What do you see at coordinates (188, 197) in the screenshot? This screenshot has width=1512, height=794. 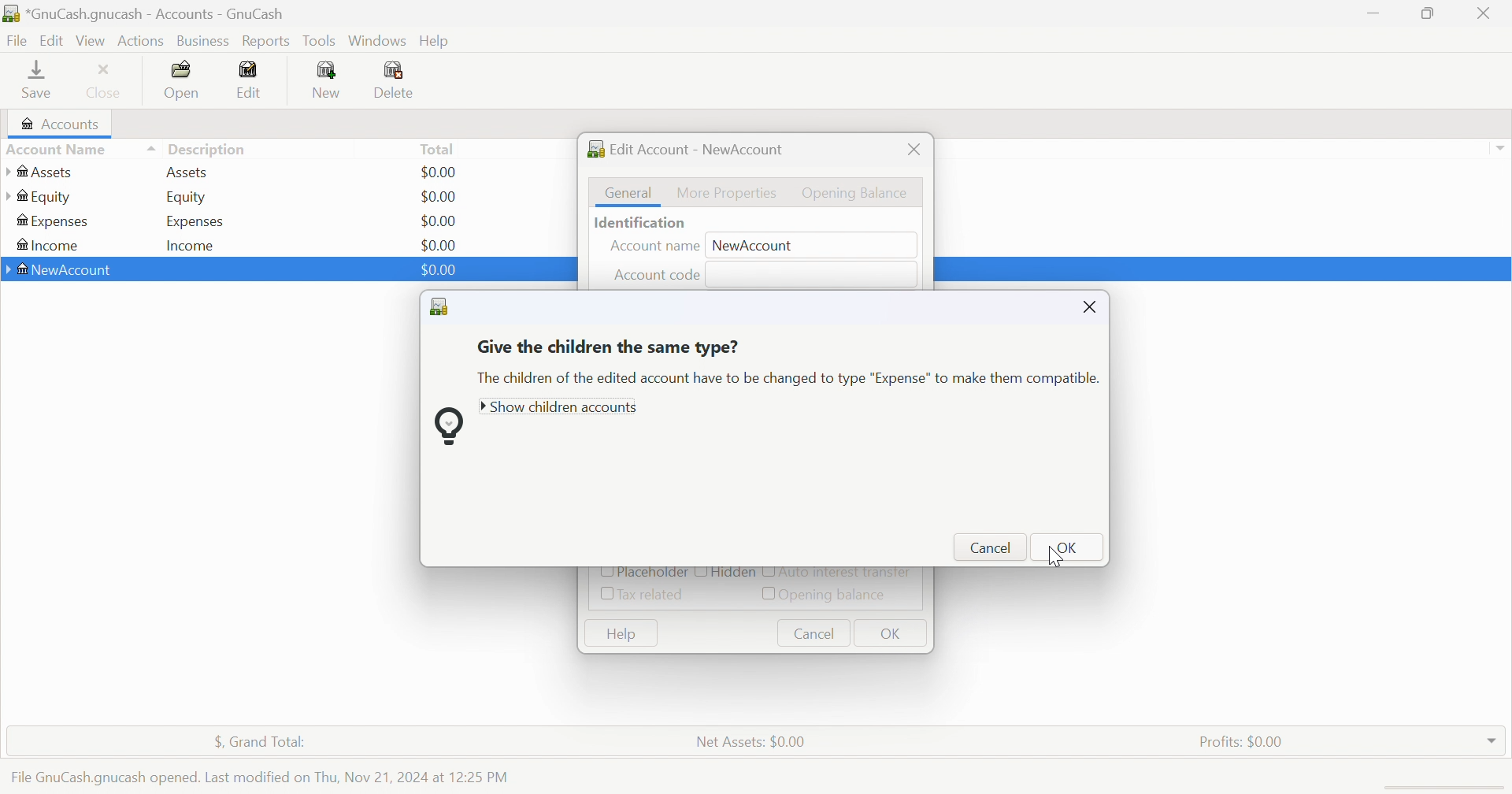 I see `Equity` at bounding box center [188, 197].